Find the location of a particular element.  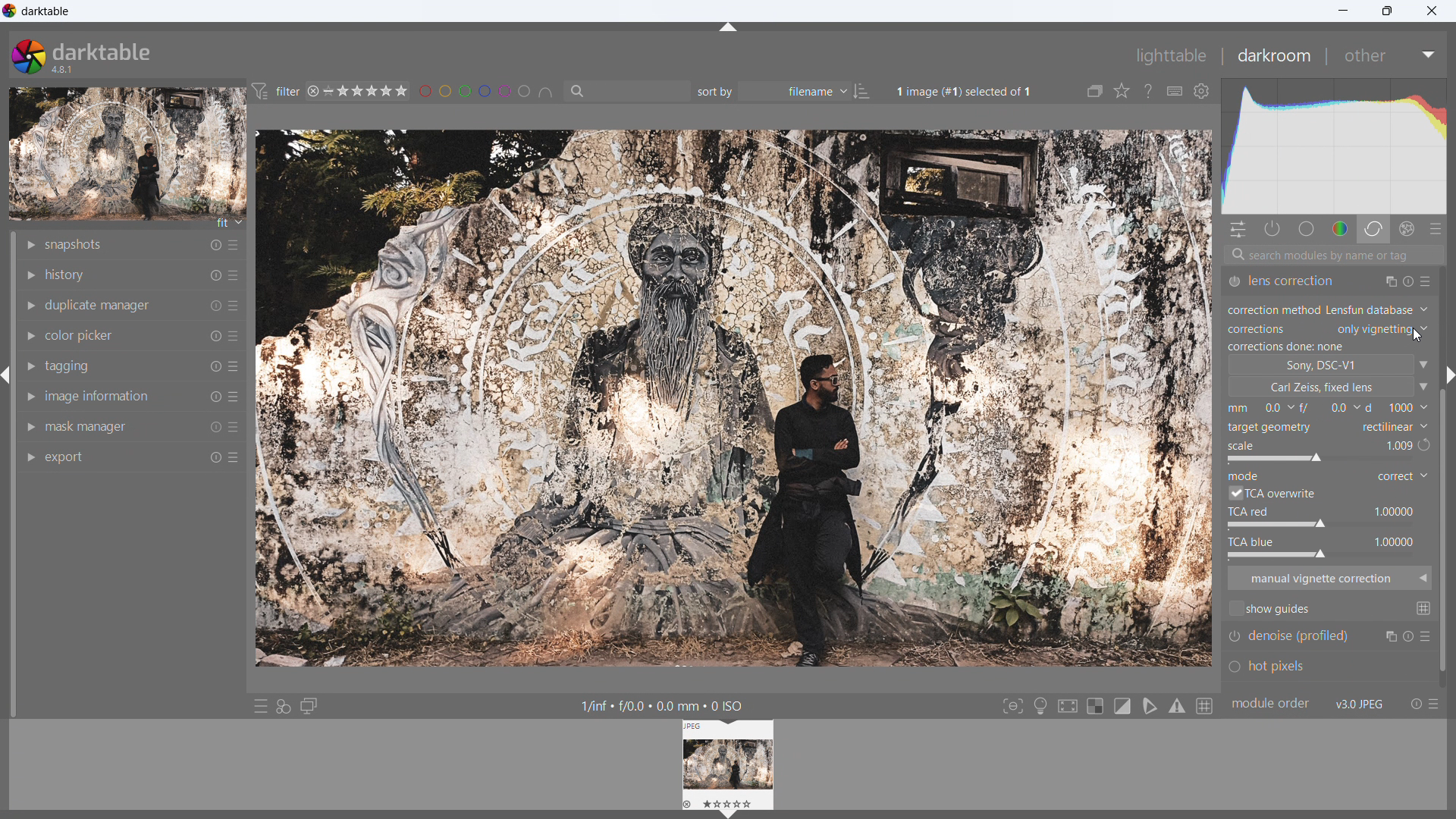

tagging is located at coordinates (71, 367).